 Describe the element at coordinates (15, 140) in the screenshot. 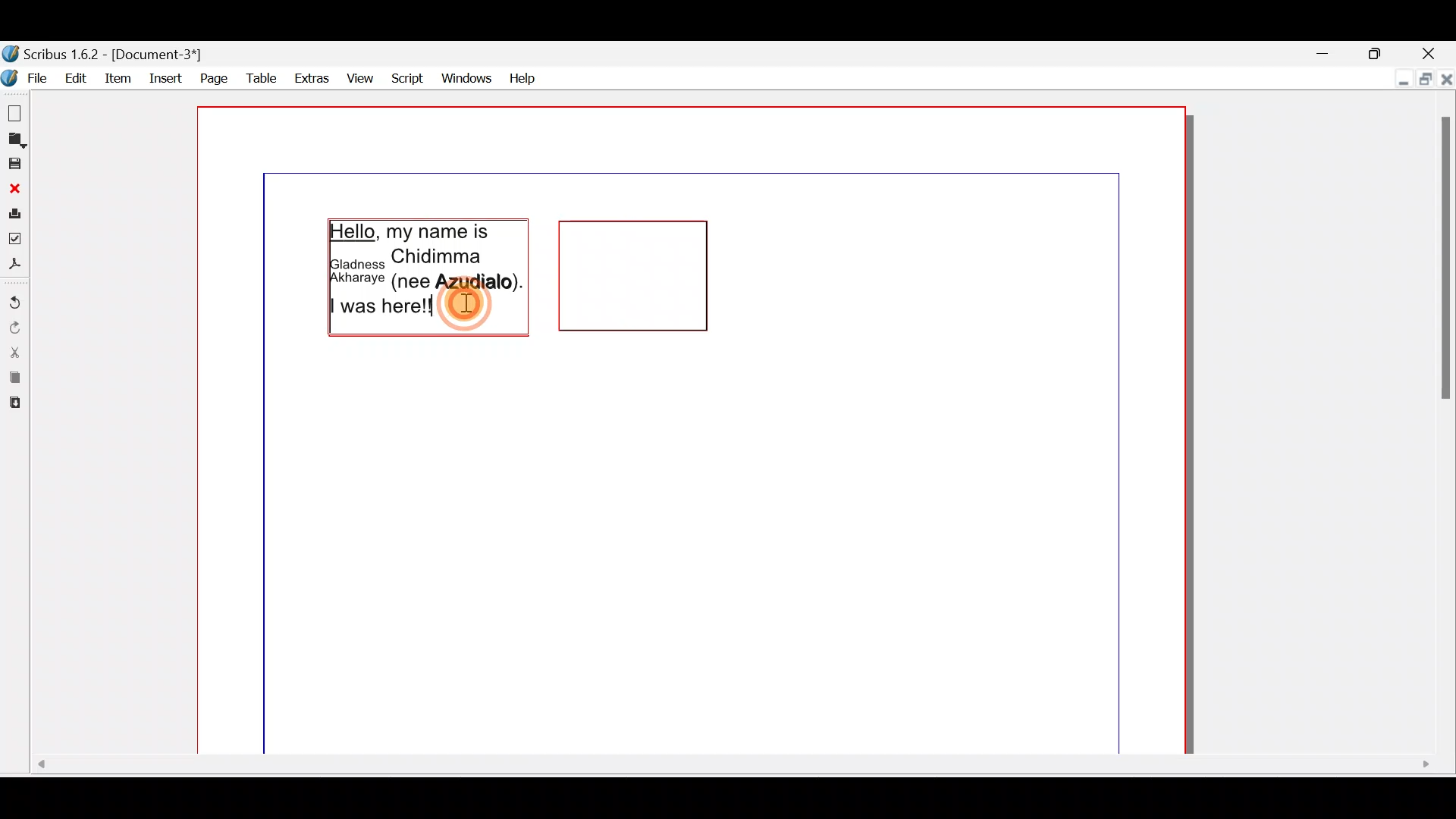

I see `Open` at that location.